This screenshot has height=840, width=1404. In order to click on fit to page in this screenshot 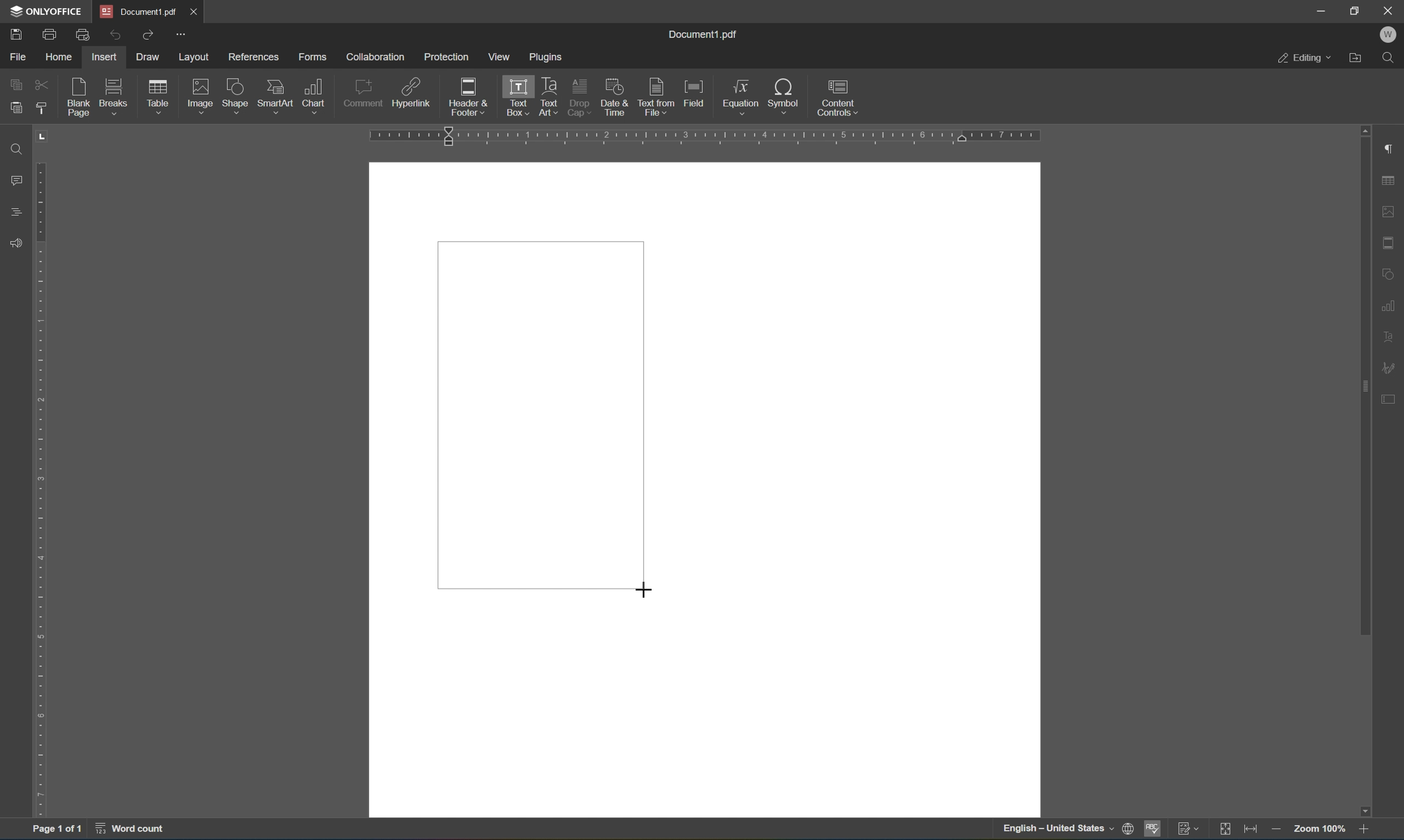, I will do `click(1225, 830)`.